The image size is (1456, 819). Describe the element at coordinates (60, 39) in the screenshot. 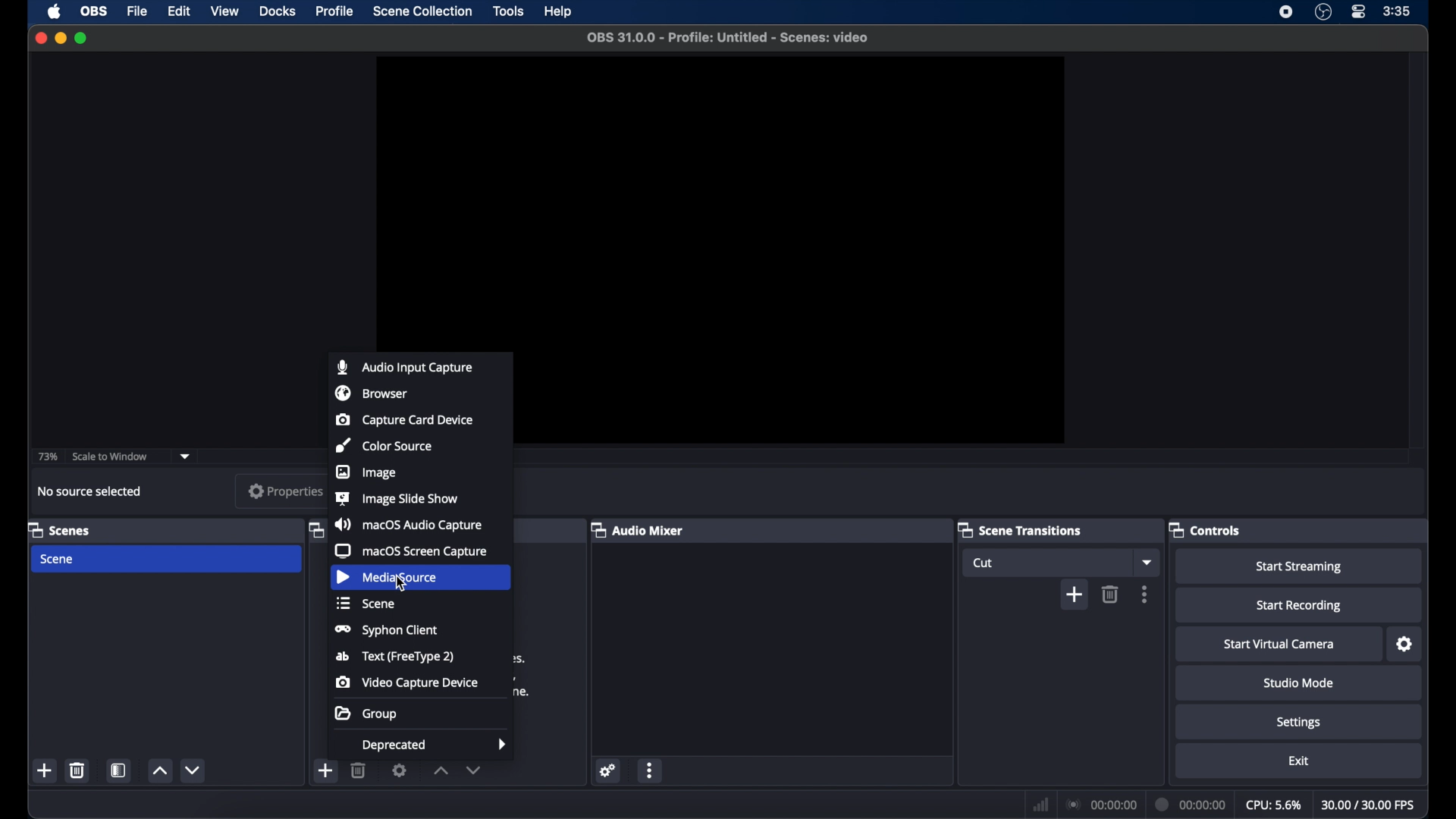

I see `minimize` at that location.